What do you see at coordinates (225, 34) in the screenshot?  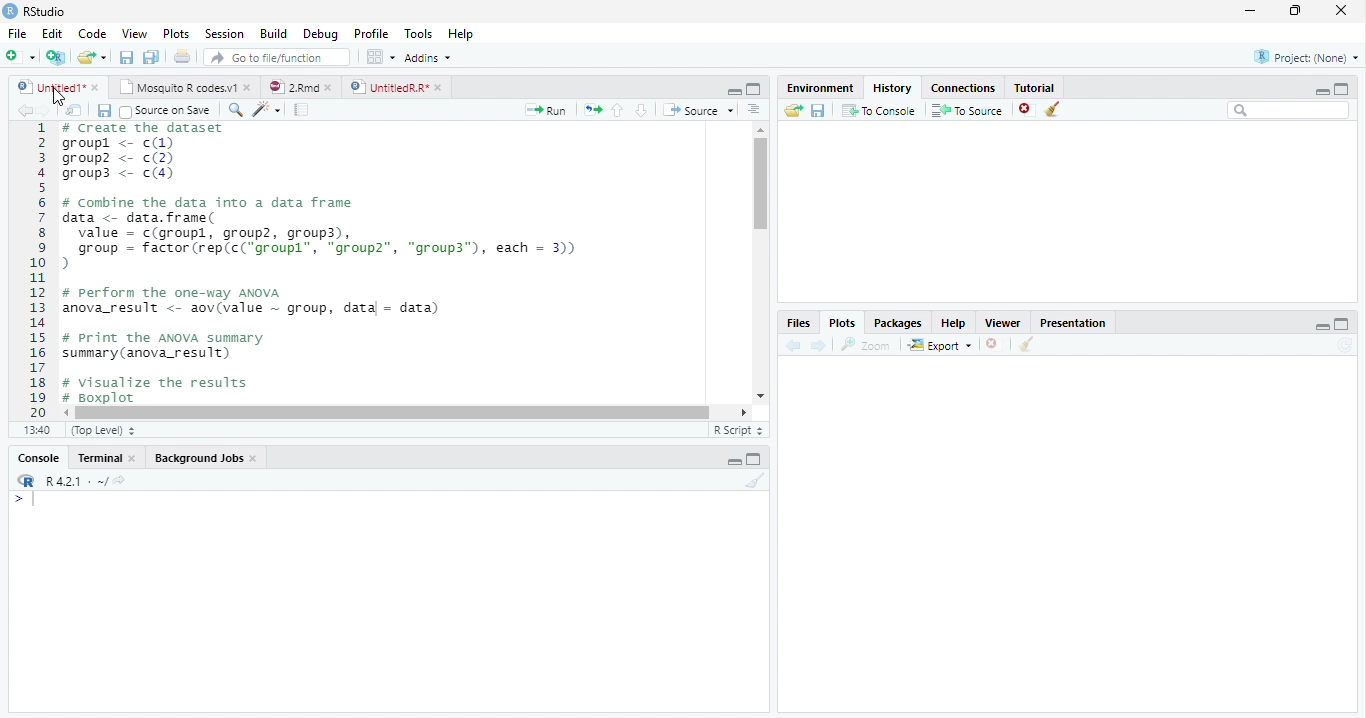 I see `Session` at bounding box center [225, 34].